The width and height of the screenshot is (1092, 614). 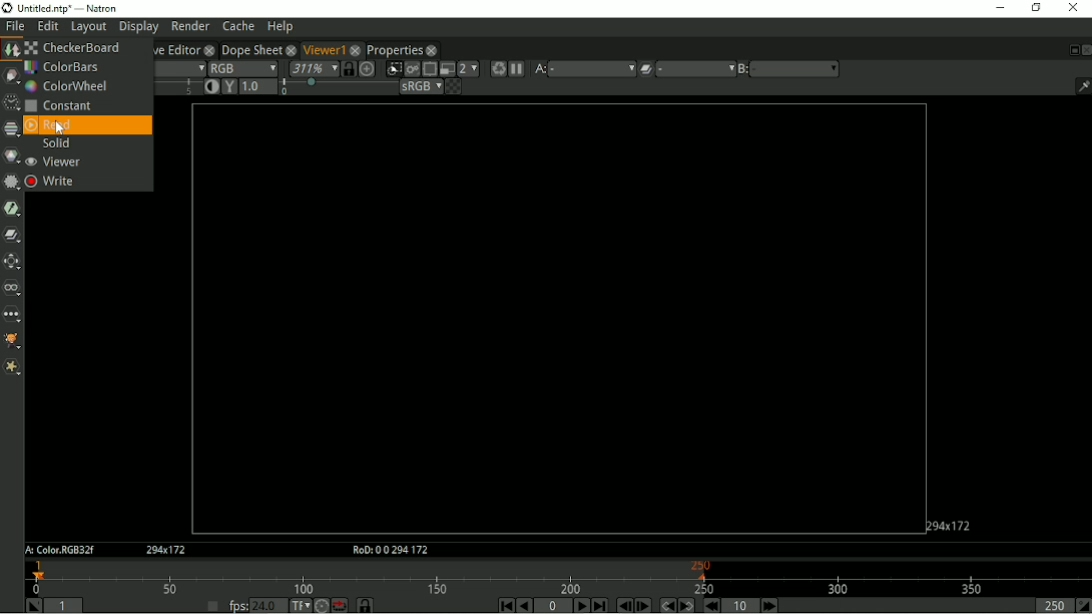 What do you see at coordinates (56, 145) in the screenshot?
I see `Sloid` at bounding box center [56, 145].